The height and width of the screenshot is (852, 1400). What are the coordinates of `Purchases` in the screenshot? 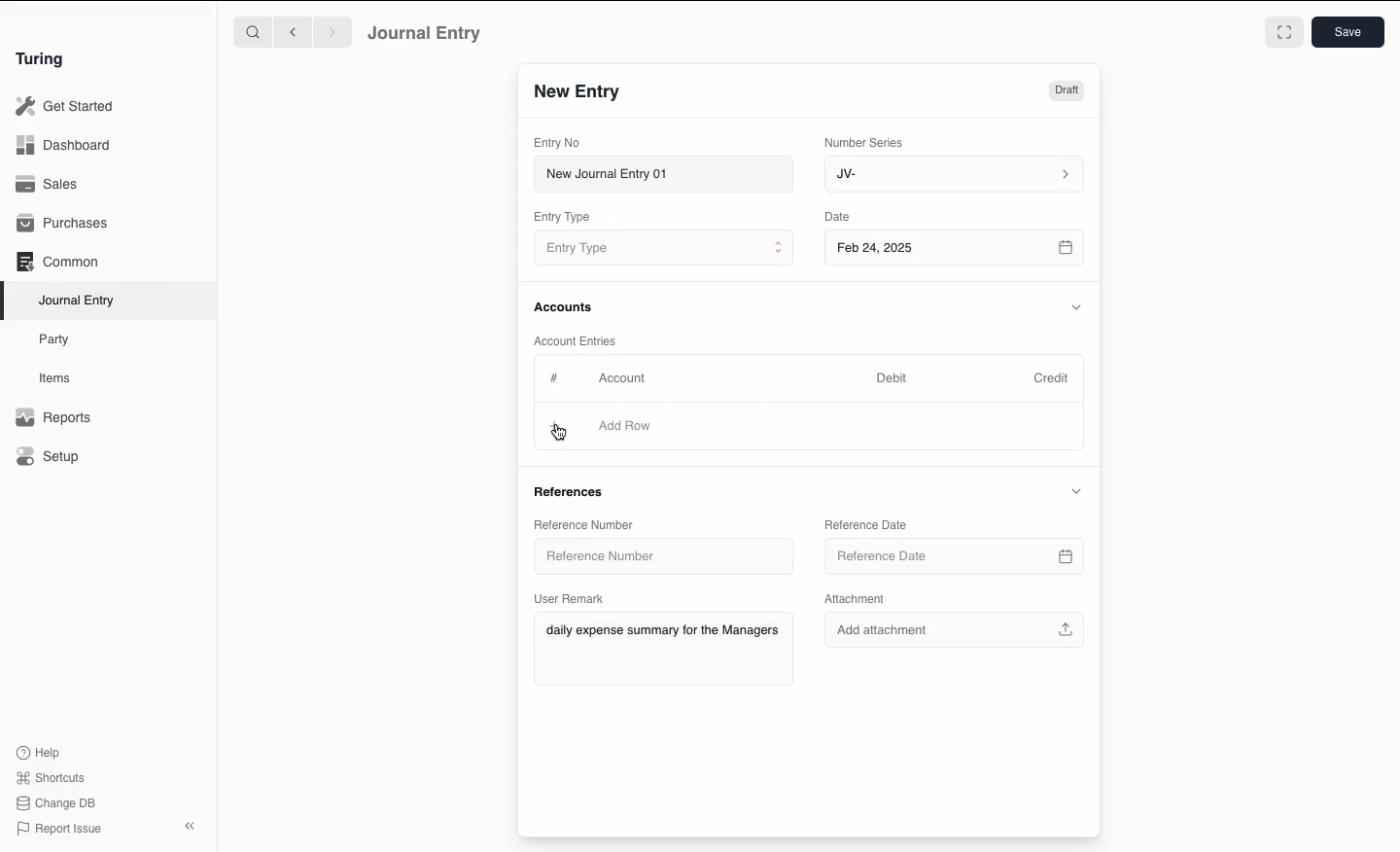 It's located at (63, 225).